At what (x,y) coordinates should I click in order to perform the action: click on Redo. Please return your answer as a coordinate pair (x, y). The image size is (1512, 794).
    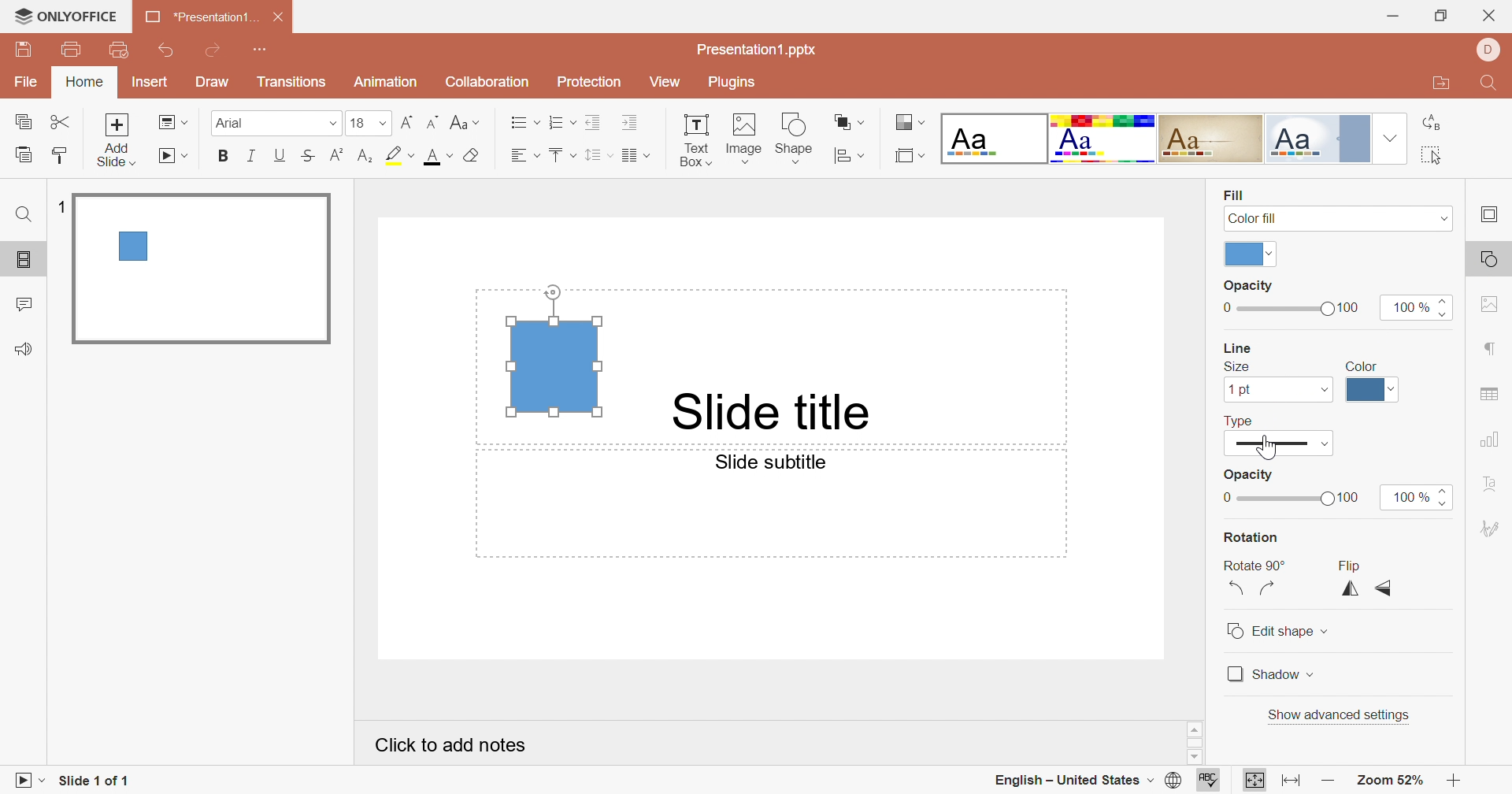
    Looking at the image, I should click on (223, 54).